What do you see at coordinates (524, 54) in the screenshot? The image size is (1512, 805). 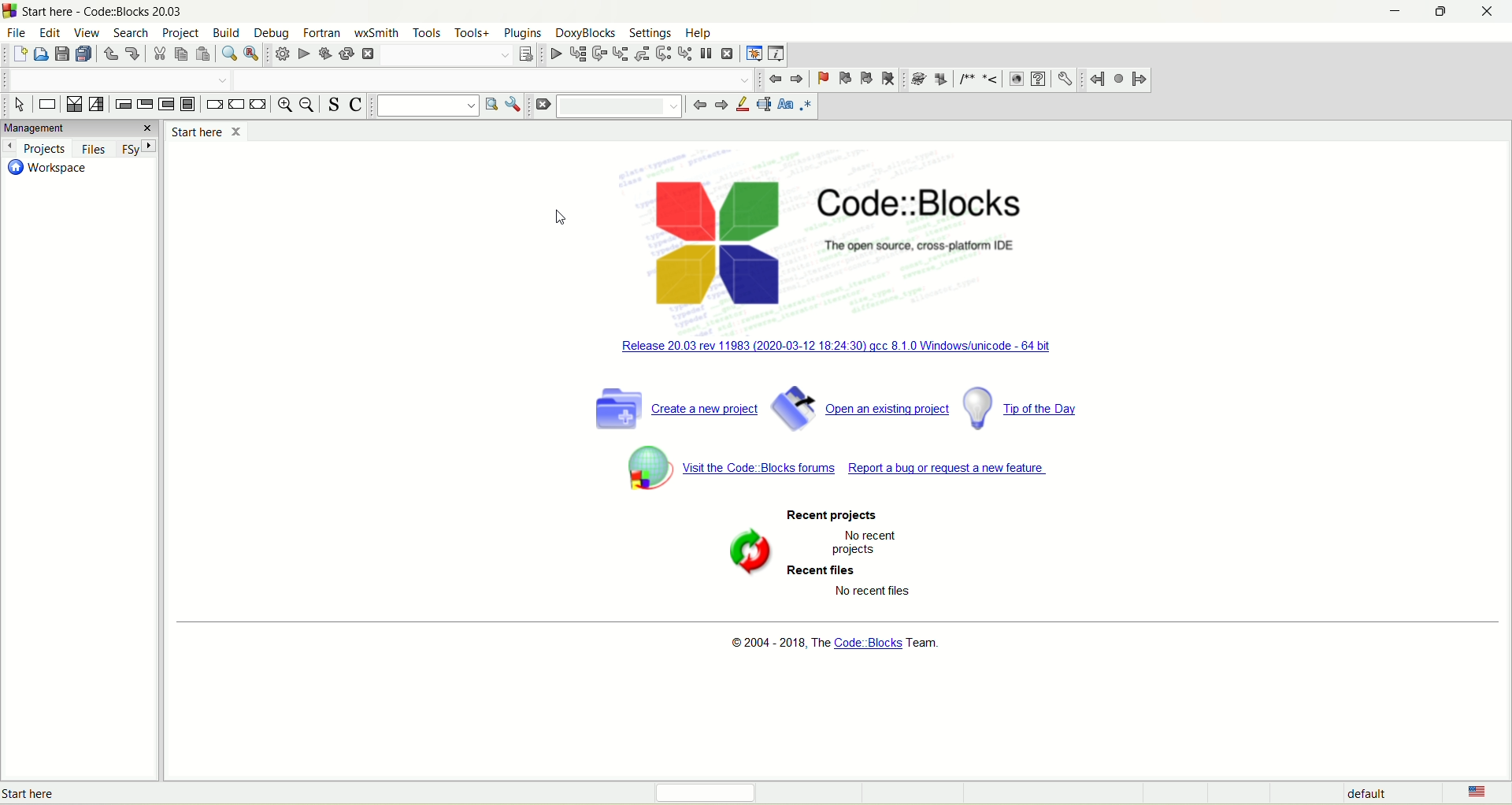 I see `select target dialog` at bounding box center [524, 54].